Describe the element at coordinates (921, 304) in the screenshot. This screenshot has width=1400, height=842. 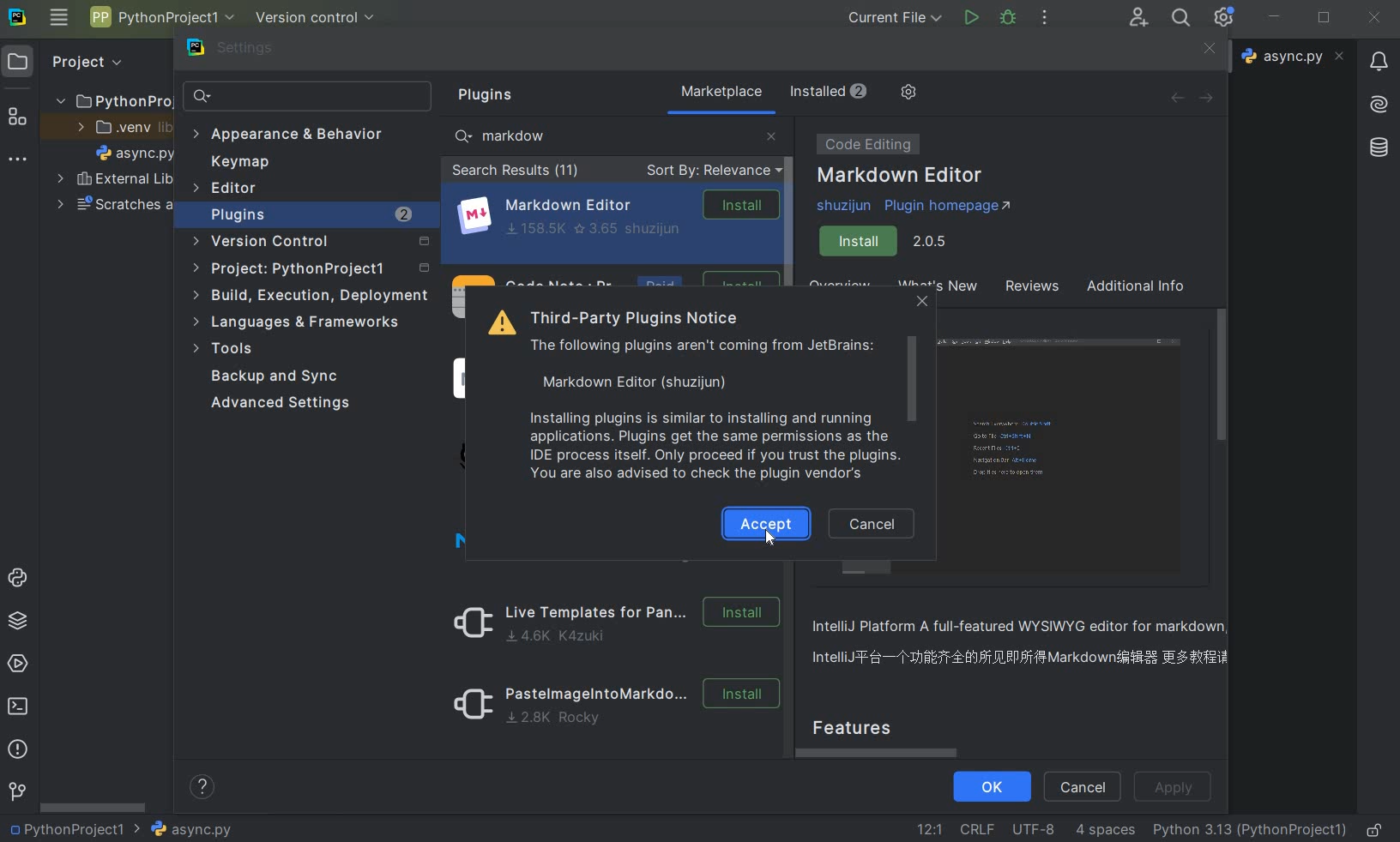
I see `close` at that location.